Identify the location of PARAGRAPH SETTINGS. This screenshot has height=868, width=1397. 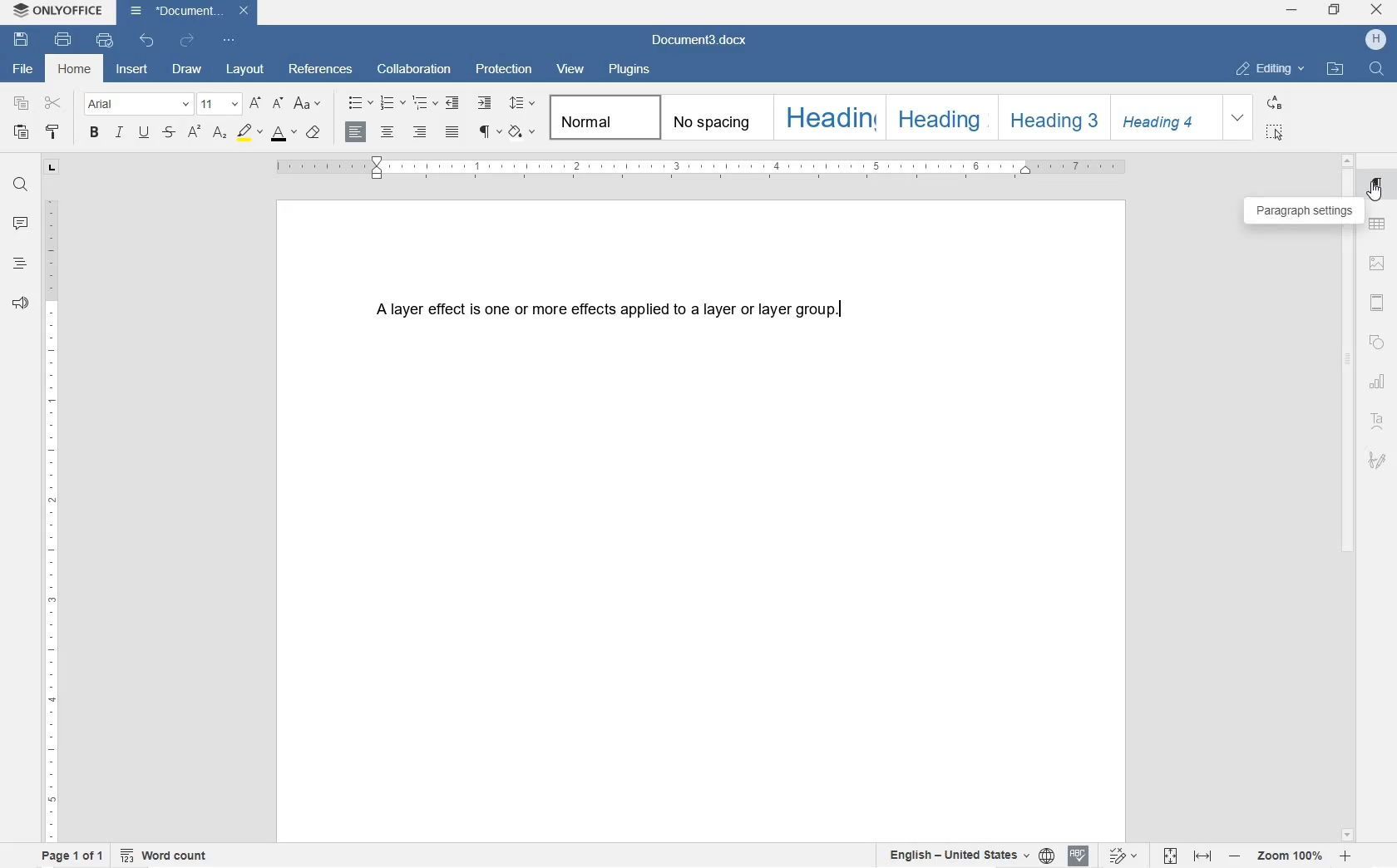
(1305, 210).